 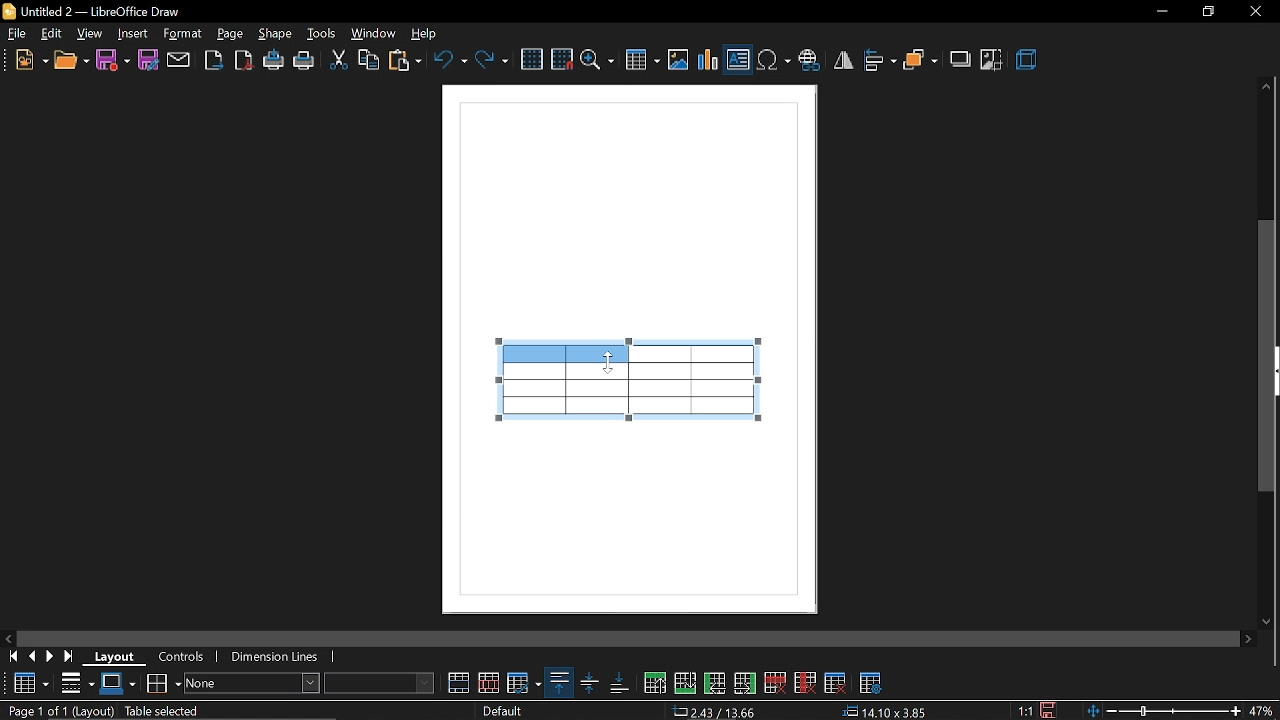 What do you see at coordinates (1254, 14) in the screenshot?
I see `close` at bounding box center [1254, 14].